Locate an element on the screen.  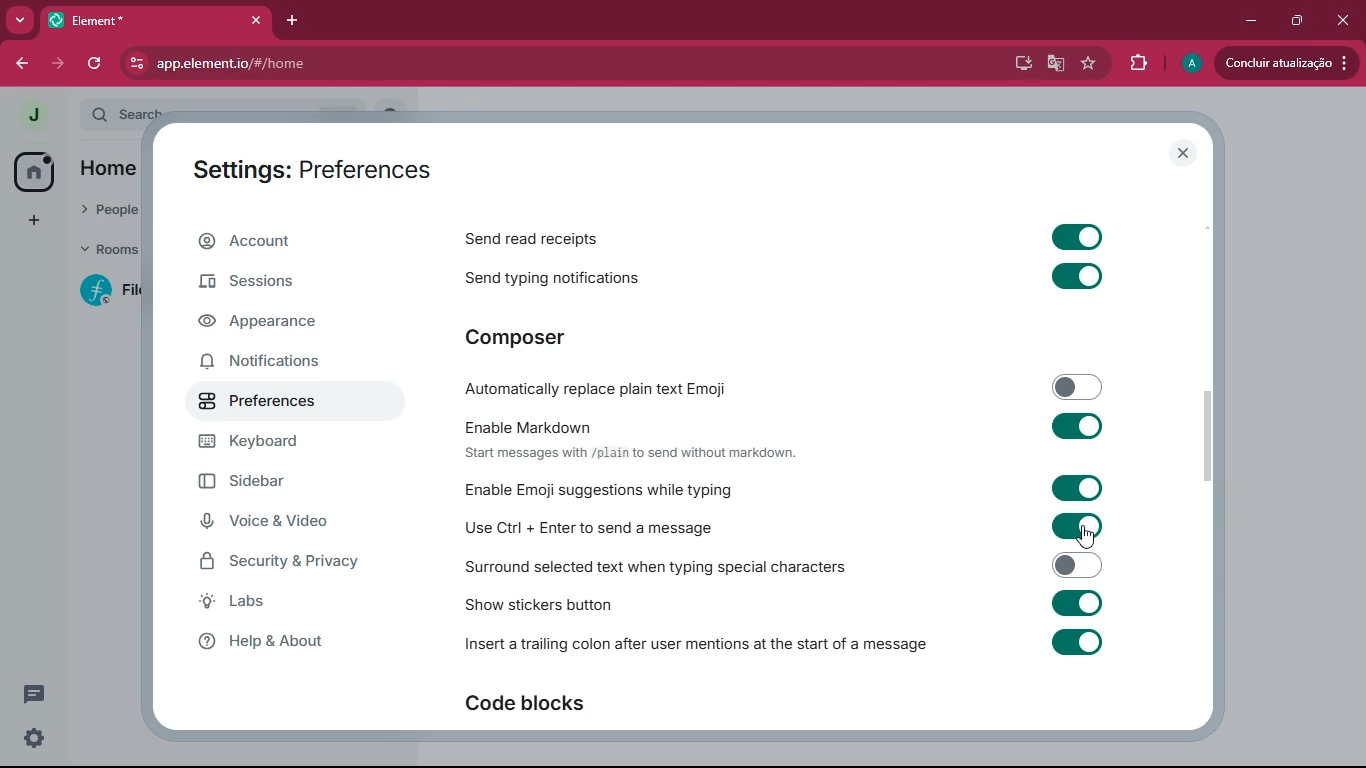
text is located at coordinates (629, 453).